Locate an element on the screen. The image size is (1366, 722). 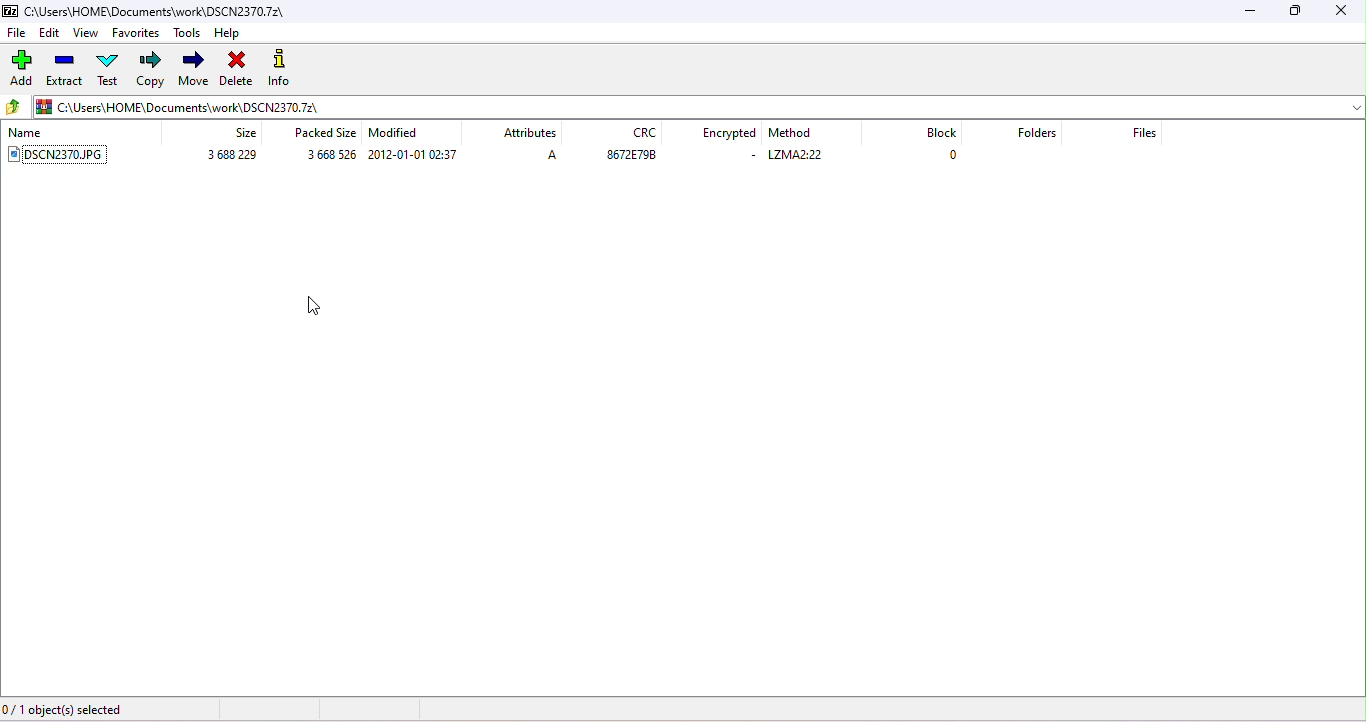
drop down is located at coordinates (1355, 107).